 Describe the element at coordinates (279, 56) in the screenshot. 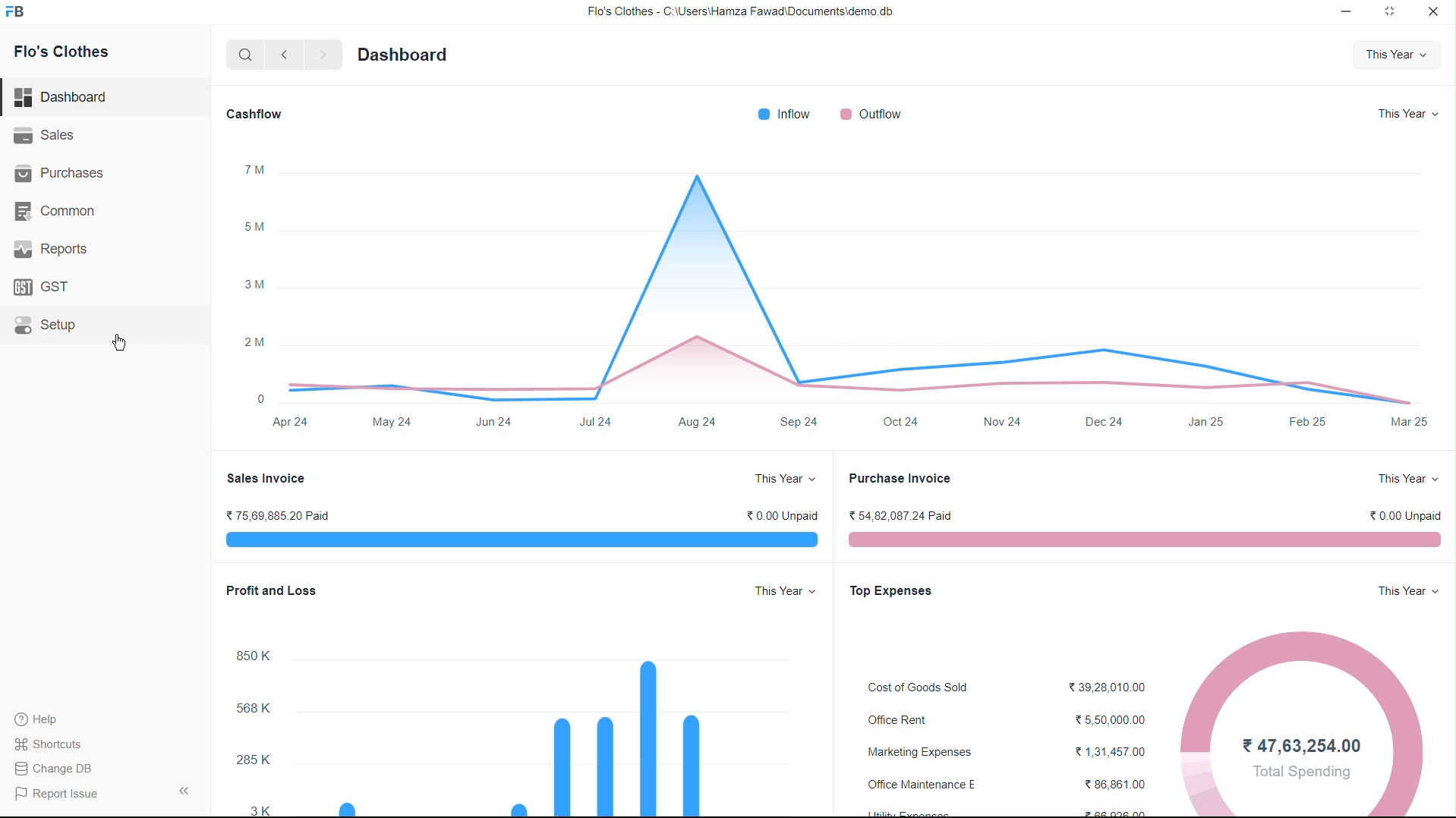

I see `Back` at that location.